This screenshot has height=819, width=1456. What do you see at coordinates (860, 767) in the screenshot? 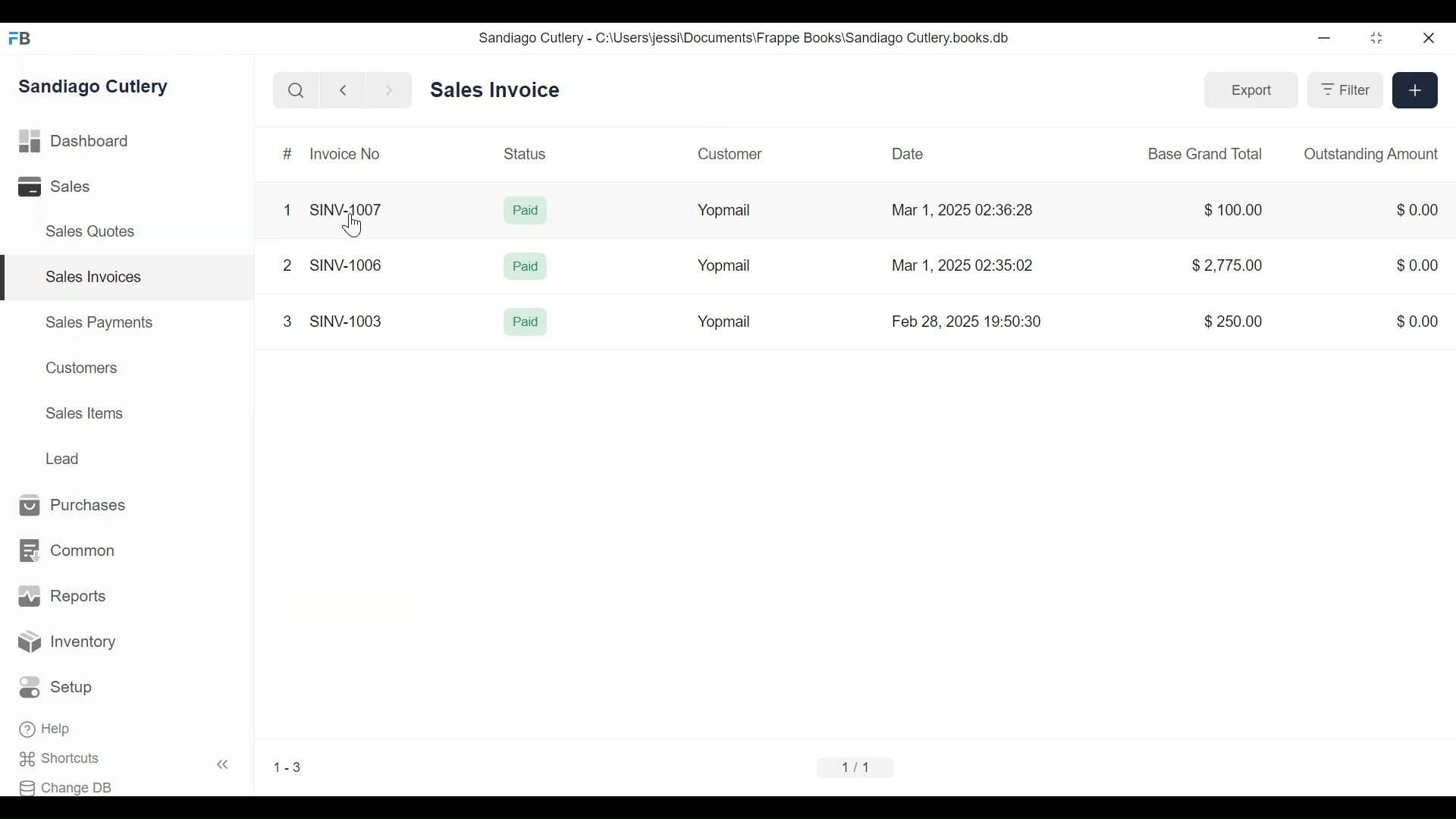
I see `1/1` at bounding box center [860, 767].